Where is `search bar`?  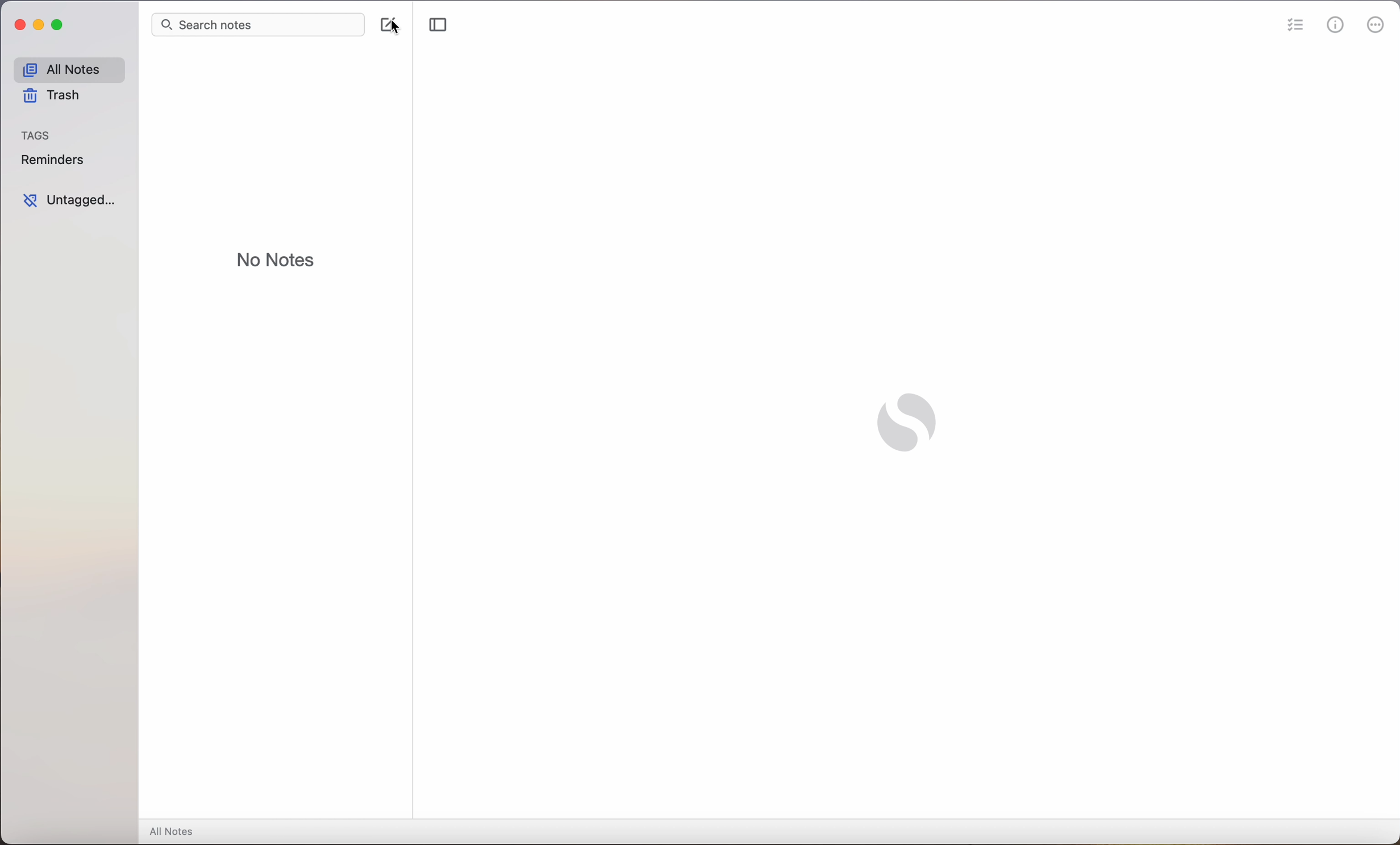 search bar is located at coordinates (257, 24).